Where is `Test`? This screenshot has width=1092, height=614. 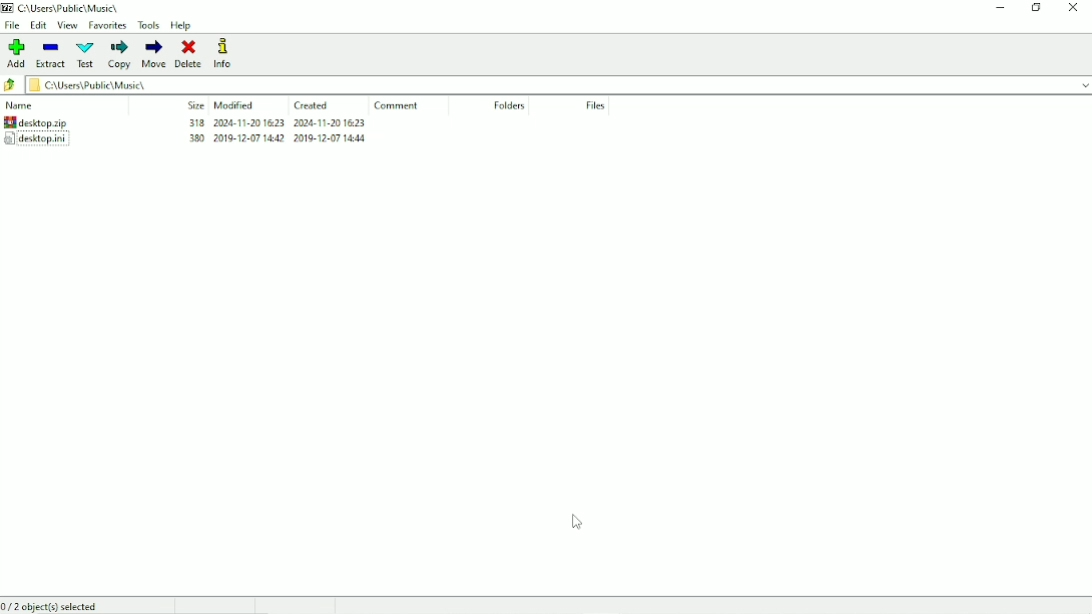 Test is located at coordinates (86, 55).